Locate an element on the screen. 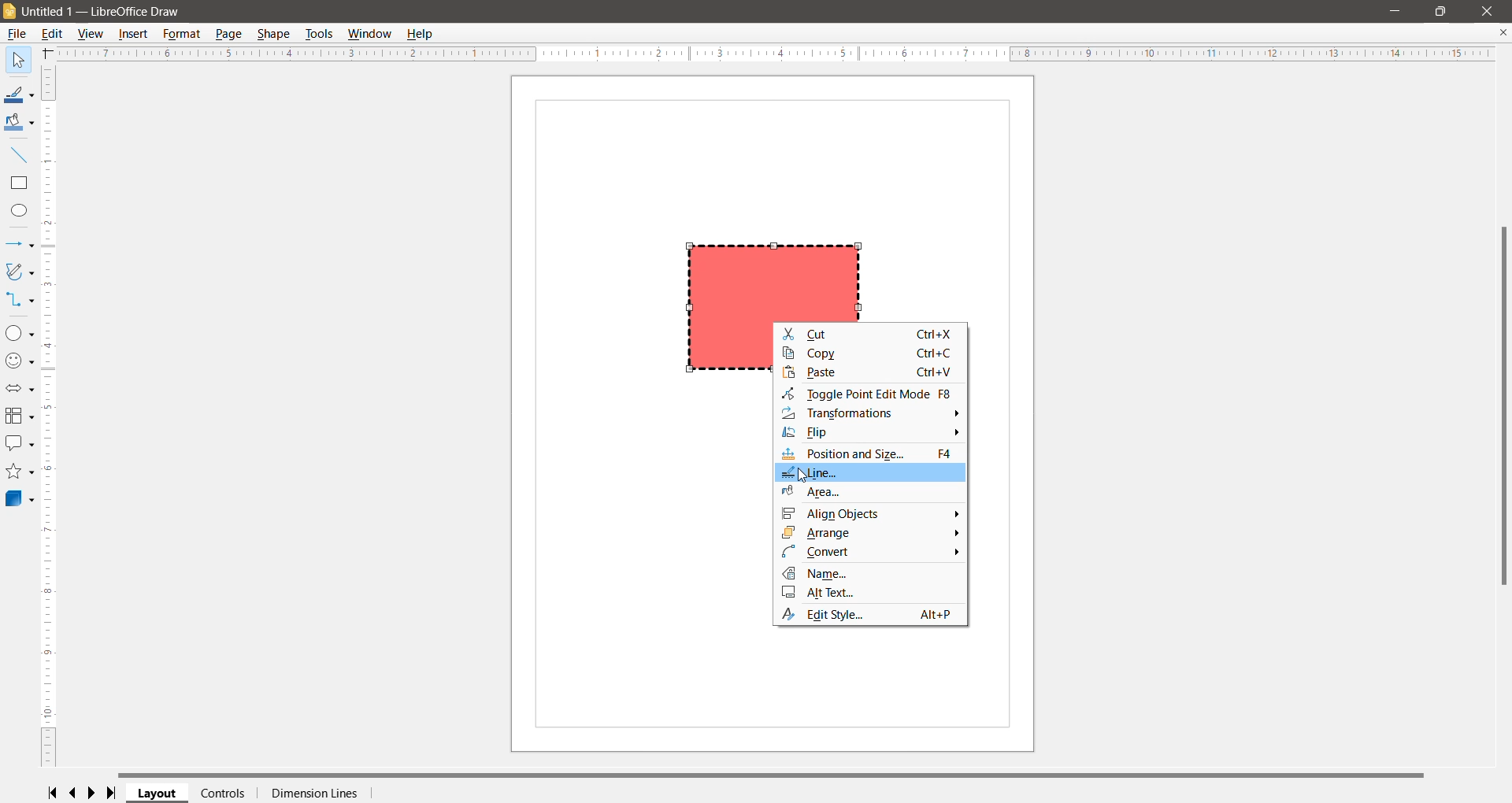  Horizontal Ruler is located at coordinates (774, 54).